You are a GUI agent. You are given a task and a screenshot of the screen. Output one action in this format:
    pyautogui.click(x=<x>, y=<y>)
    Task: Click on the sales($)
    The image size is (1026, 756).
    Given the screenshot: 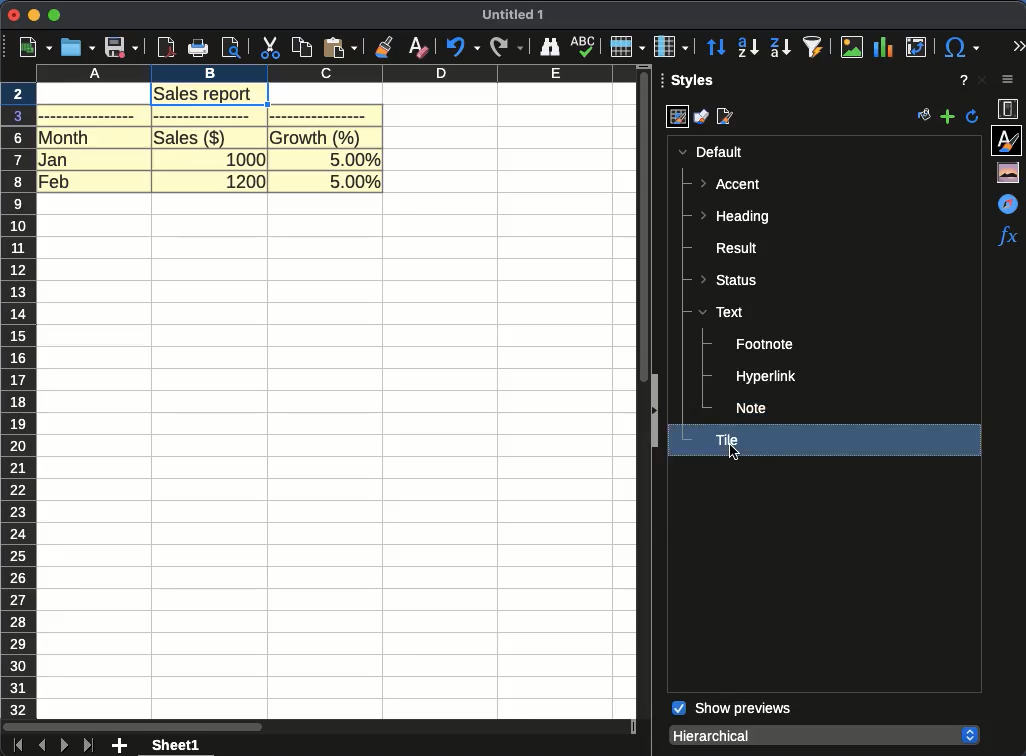 What is the action you would take?
    pyautogui.click(x=190, y=137)
    